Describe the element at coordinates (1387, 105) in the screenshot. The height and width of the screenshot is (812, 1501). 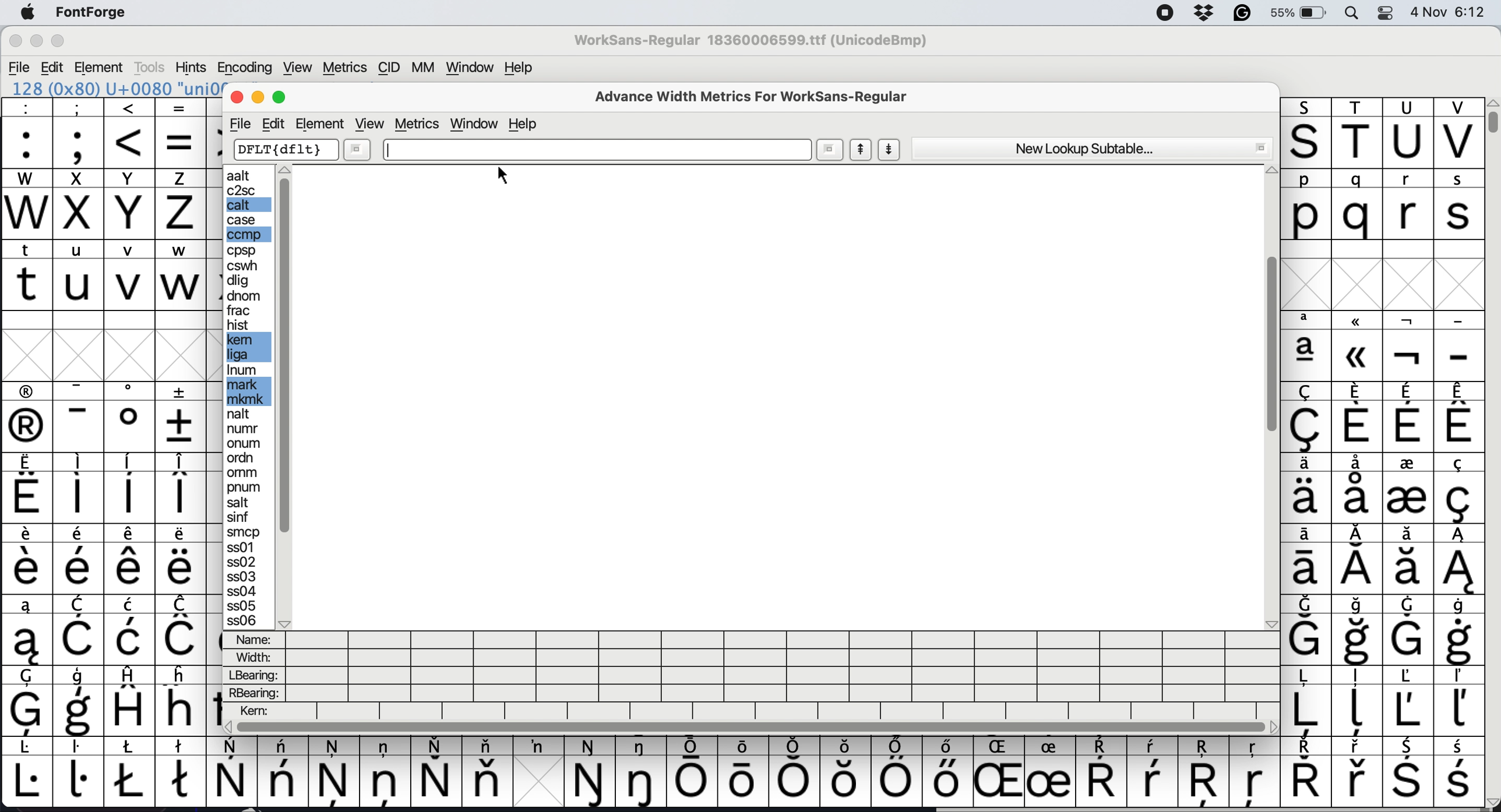
I see `uppercase letters` at that location.